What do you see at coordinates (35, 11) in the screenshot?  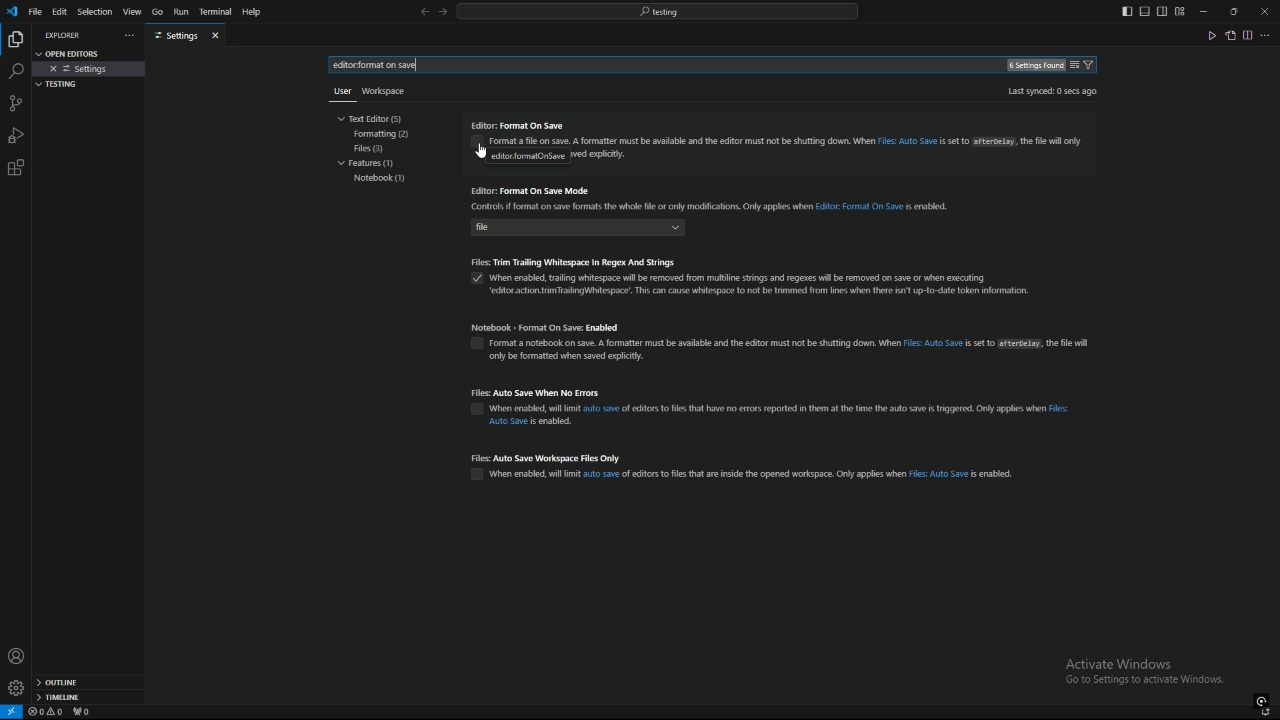 I see `file` at bounding box center [35, 11].